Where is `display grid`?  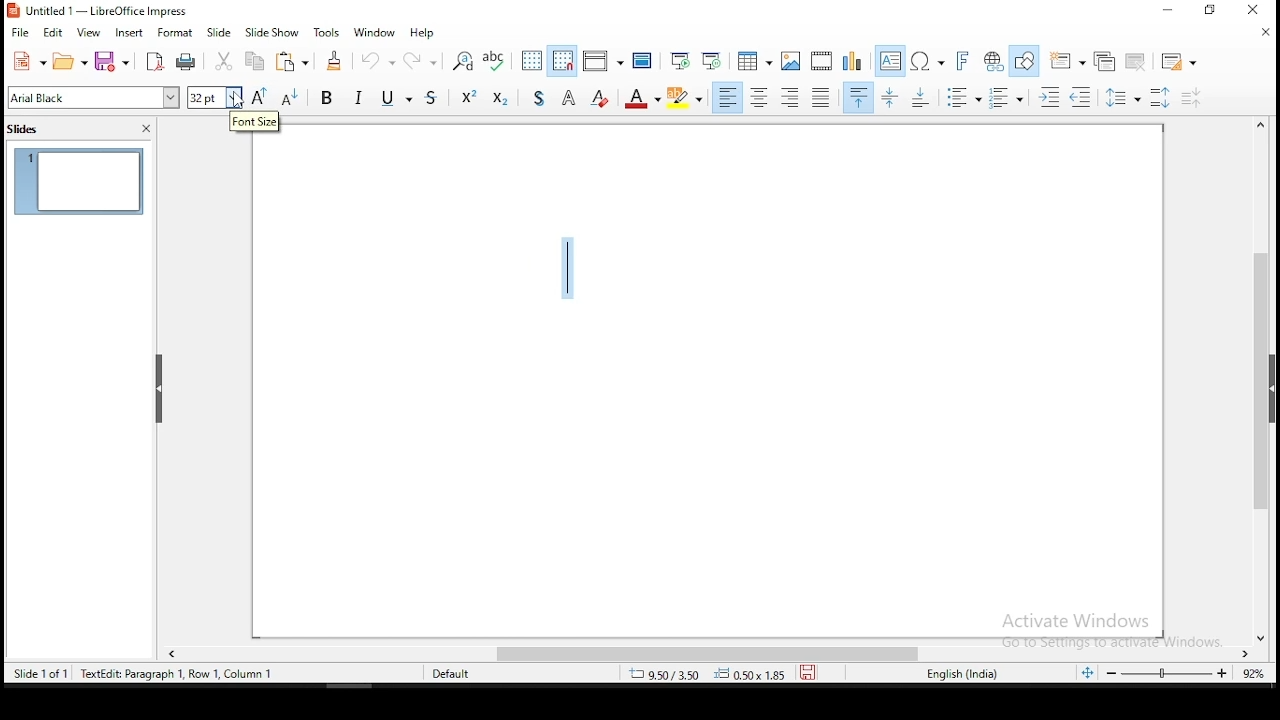 display grid is located at coordinates (533, 61).